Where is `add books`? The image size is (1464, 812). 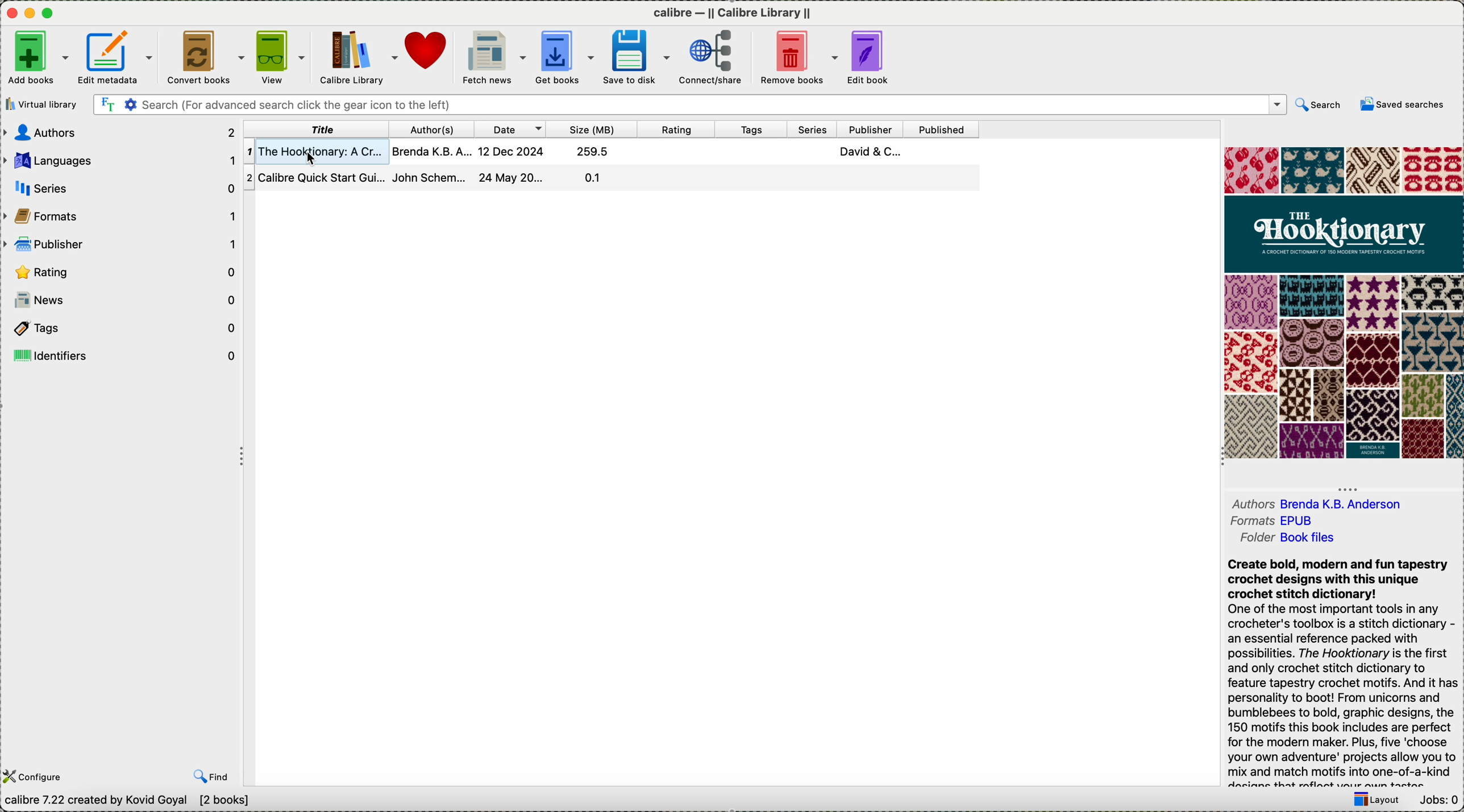 add books is located at coordinates (38, 57).